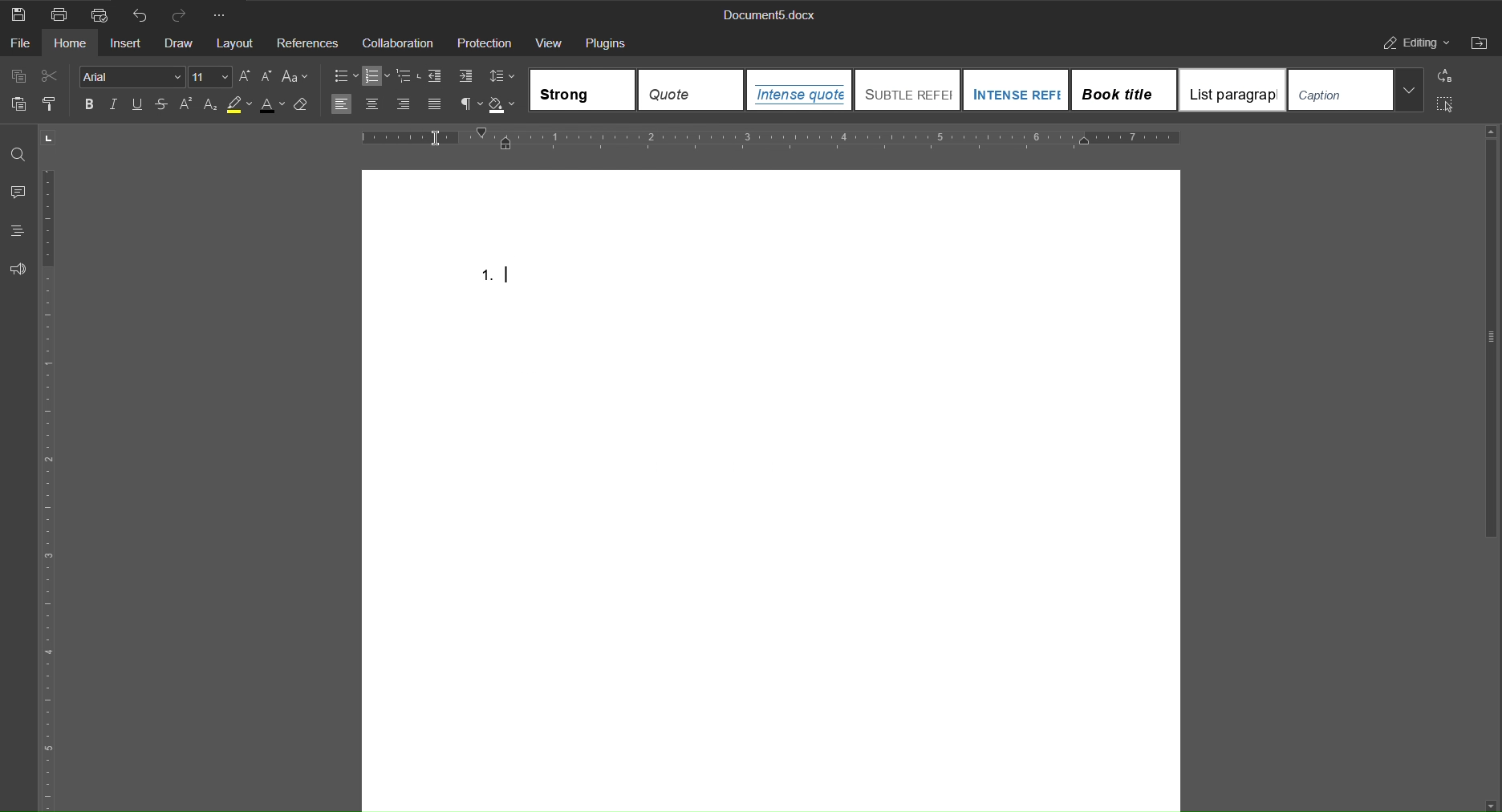 The image size is (1502, 812). Describe the element at coordinates (20, 194) in the screenshot. I see `Comments` at that location.